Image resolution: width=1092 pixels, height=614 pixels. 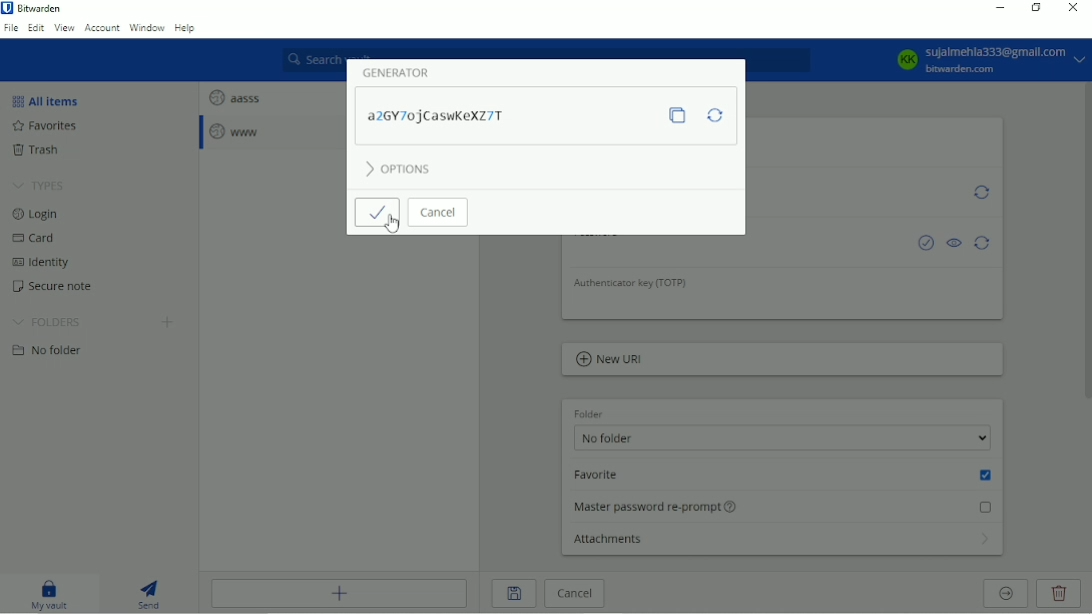 I want to click on Check if password has been exposed, so click(x=925, y=243).